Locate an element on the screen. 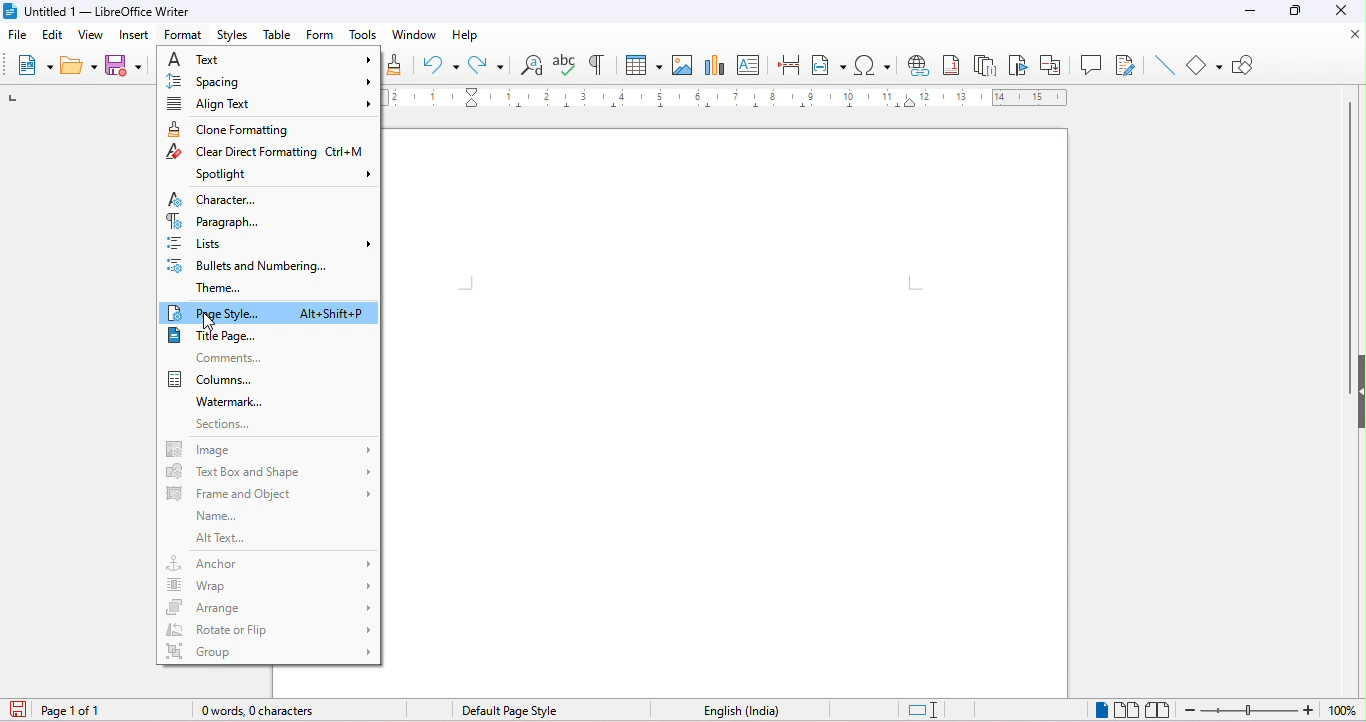 This screenshot has width=1366, height=722. group is located at coordinates (271, 652).